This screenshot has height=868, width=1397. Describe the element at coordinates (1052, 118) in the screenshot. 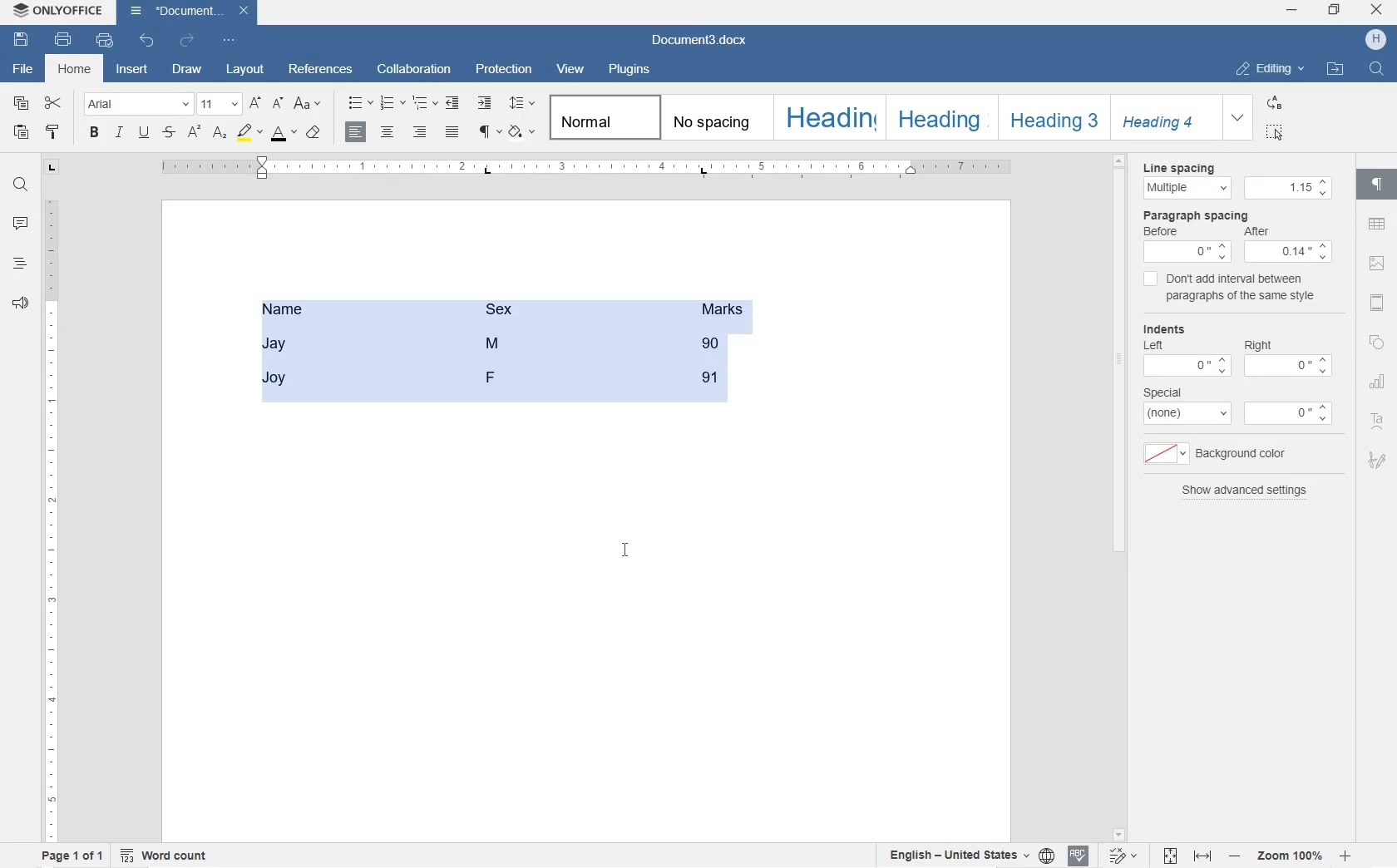

I see `HEADING 3` at that location.